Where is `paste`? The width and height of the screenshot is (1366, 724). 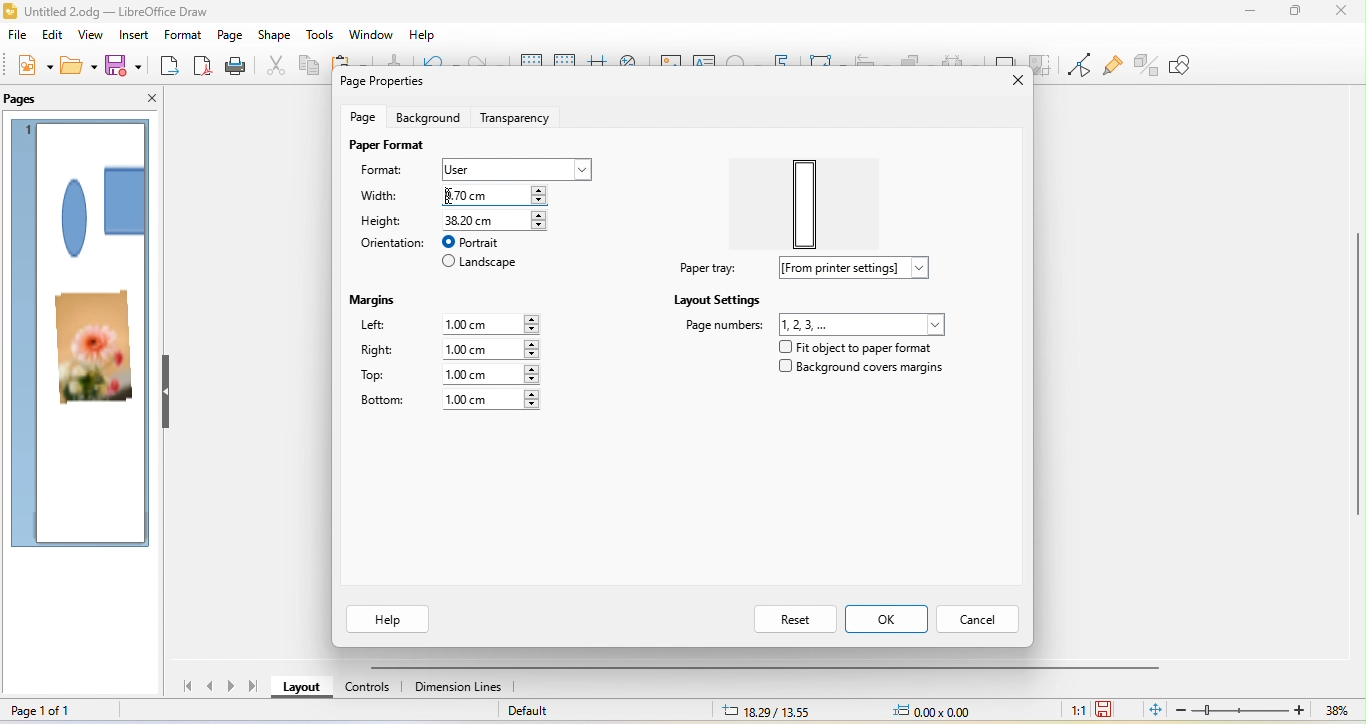 paste is located at coordinates (353, 62).